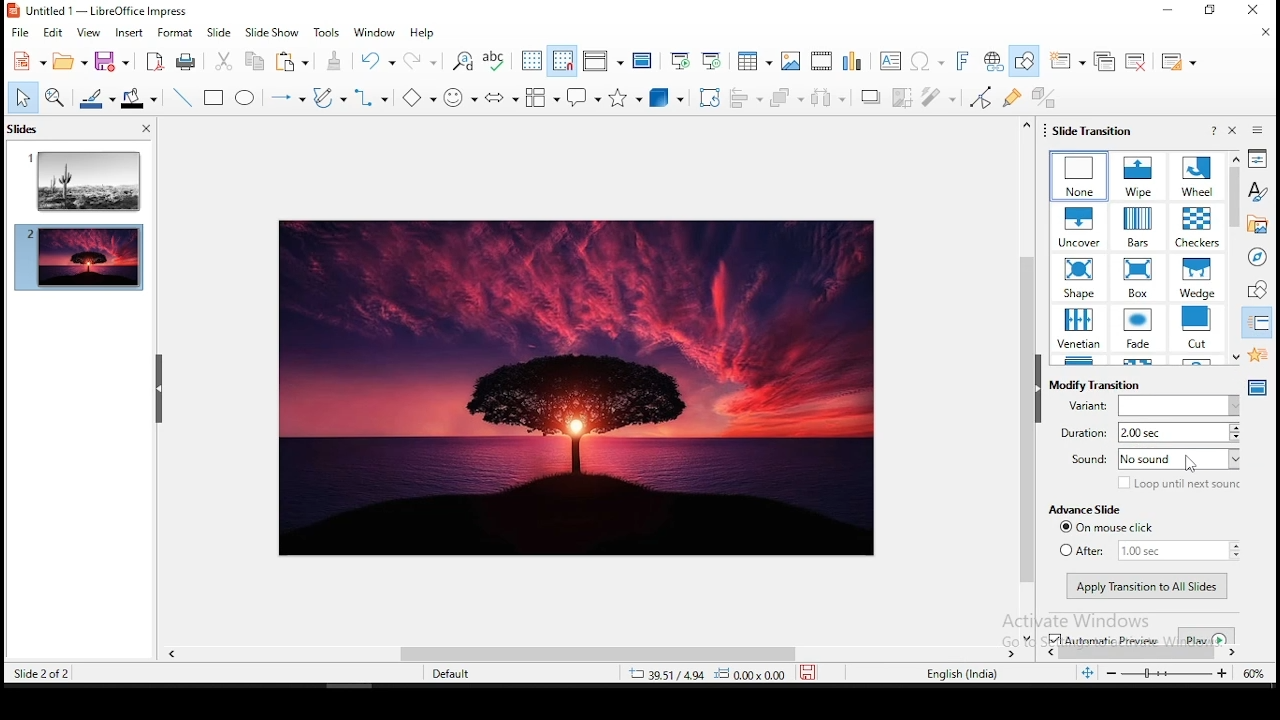 This screenshot has width=1280, height=720. Describe the element at coordinates (926, 63) in the screenshot. I see `special characters` at that location.